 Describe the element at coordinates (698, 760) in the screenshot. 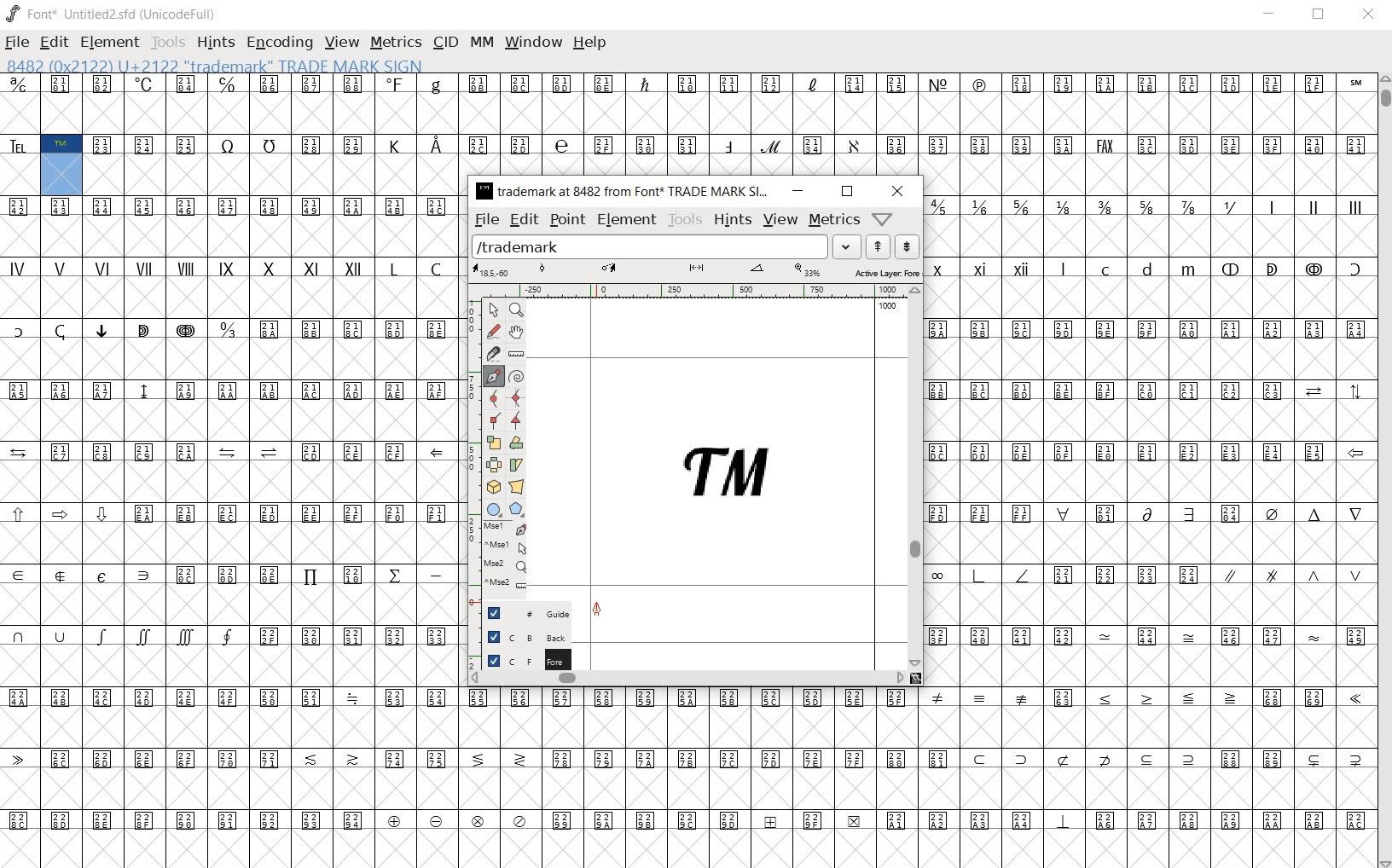

I see `special characters` at that location.